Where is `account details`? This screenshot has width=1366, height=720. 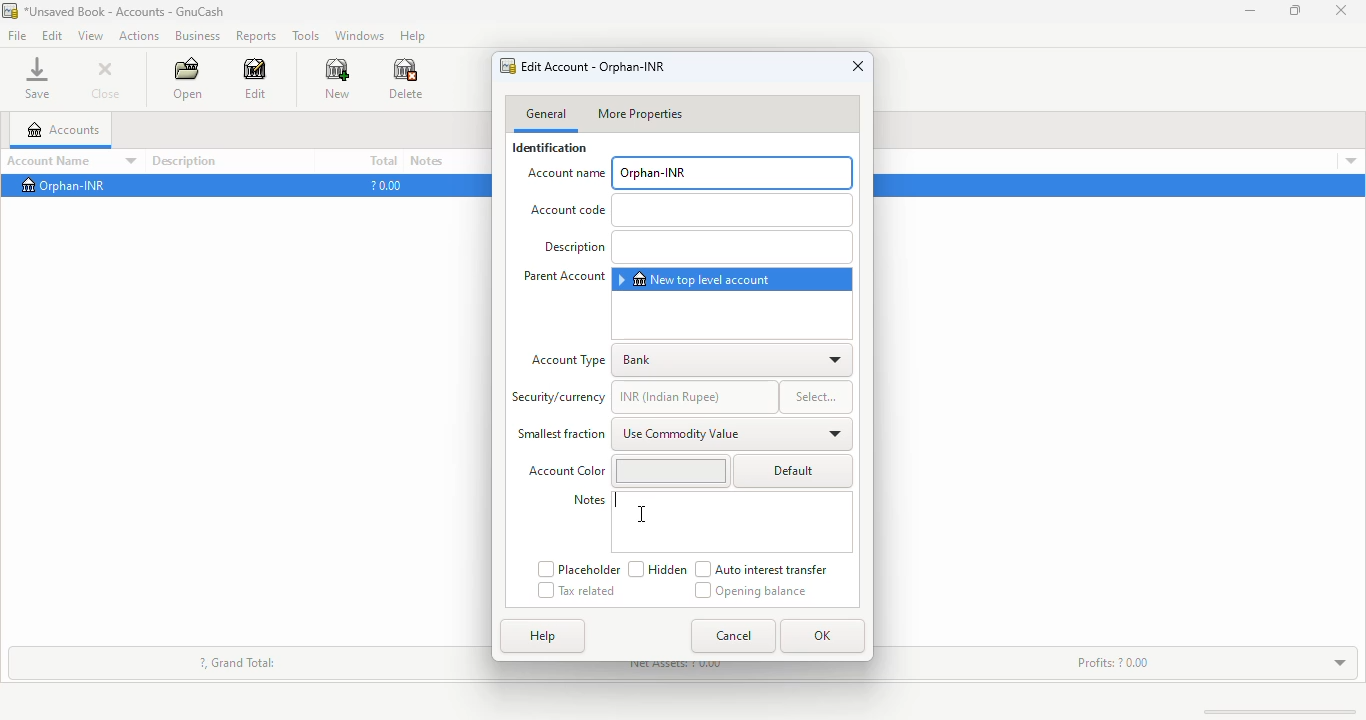 account details is located at coordinates (1351, 162).